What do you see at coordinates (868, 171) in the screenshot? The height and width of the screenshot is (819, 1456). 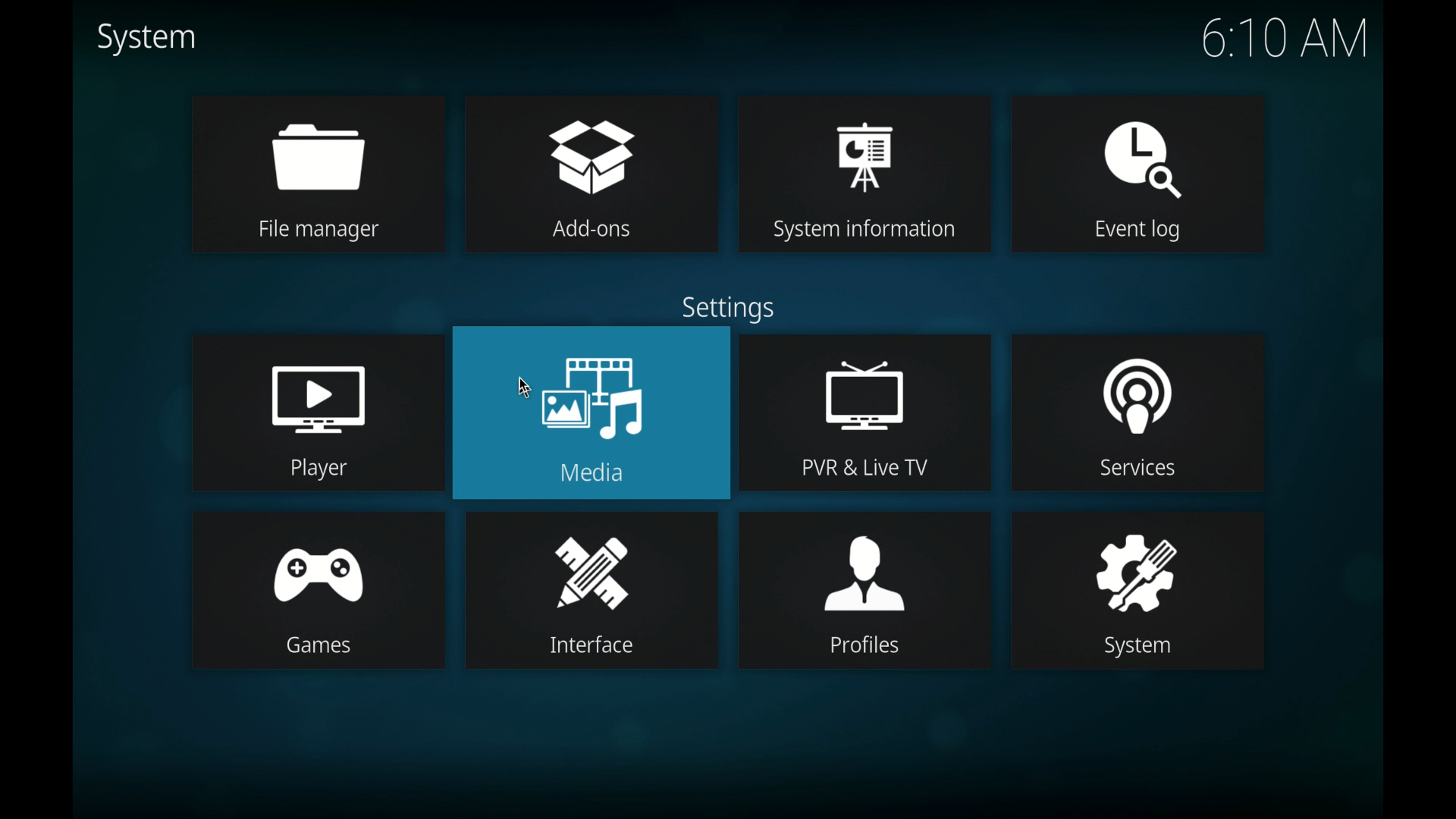 I see `system information` at bounding box center [868, 171].